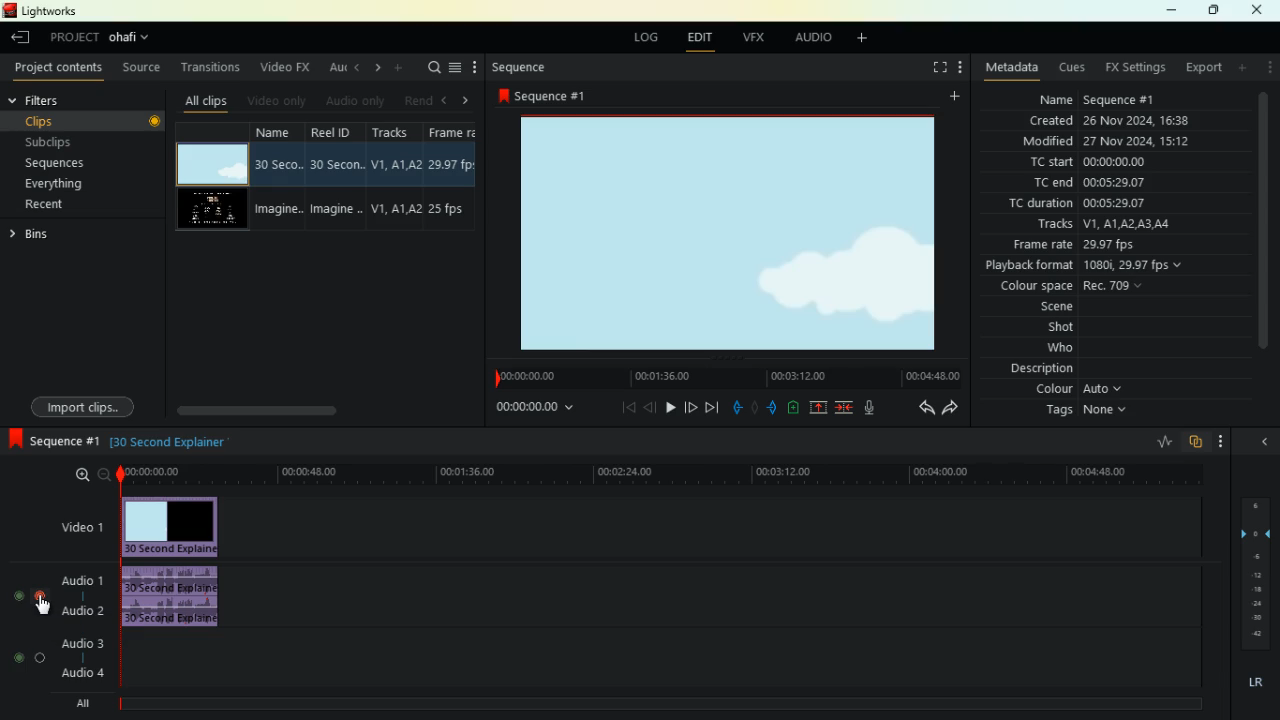  Describe the element at coordinates (26, 658) in the screenshot. I see `on` at that location.